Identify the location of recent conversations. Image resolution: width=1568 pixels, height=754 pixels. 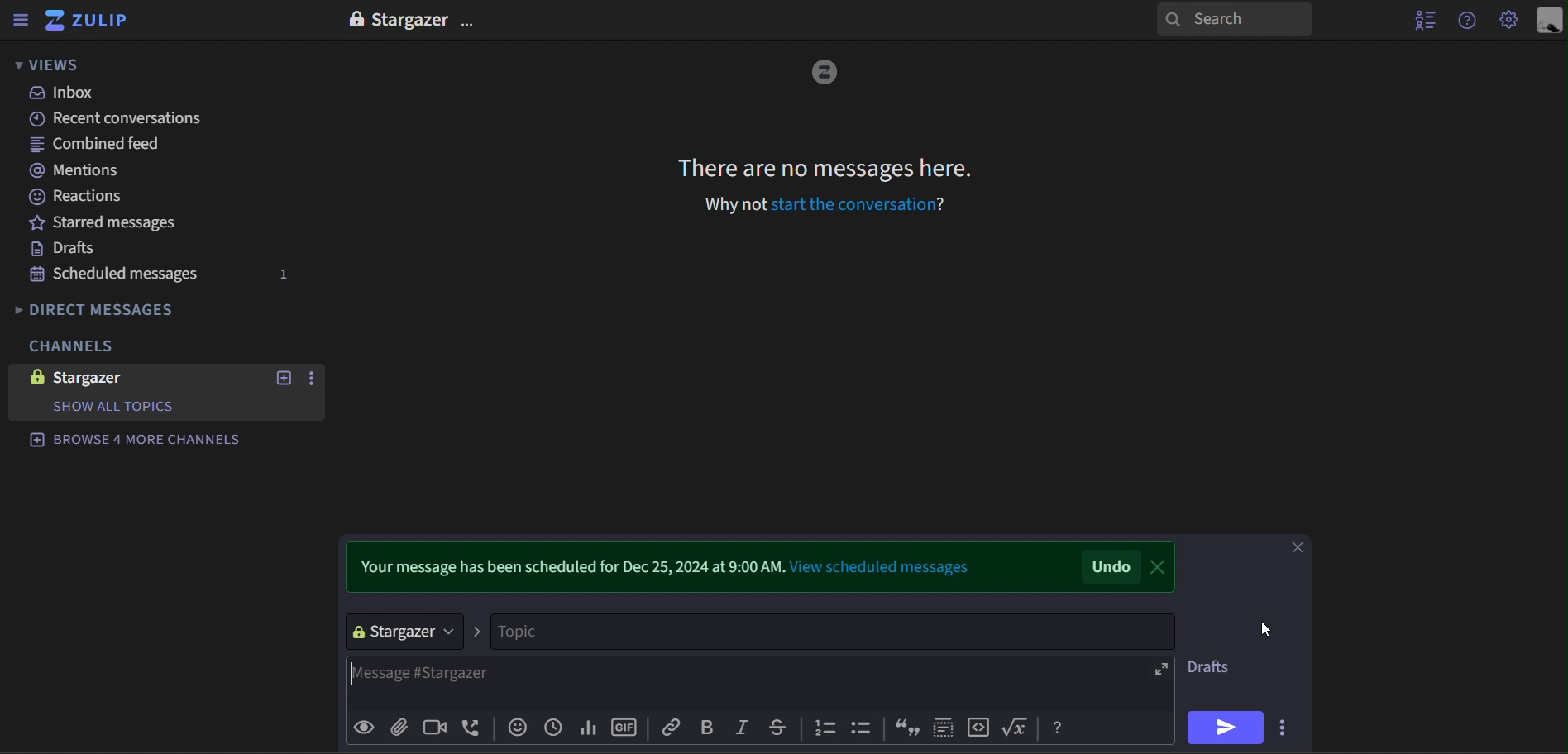
(120, 118).